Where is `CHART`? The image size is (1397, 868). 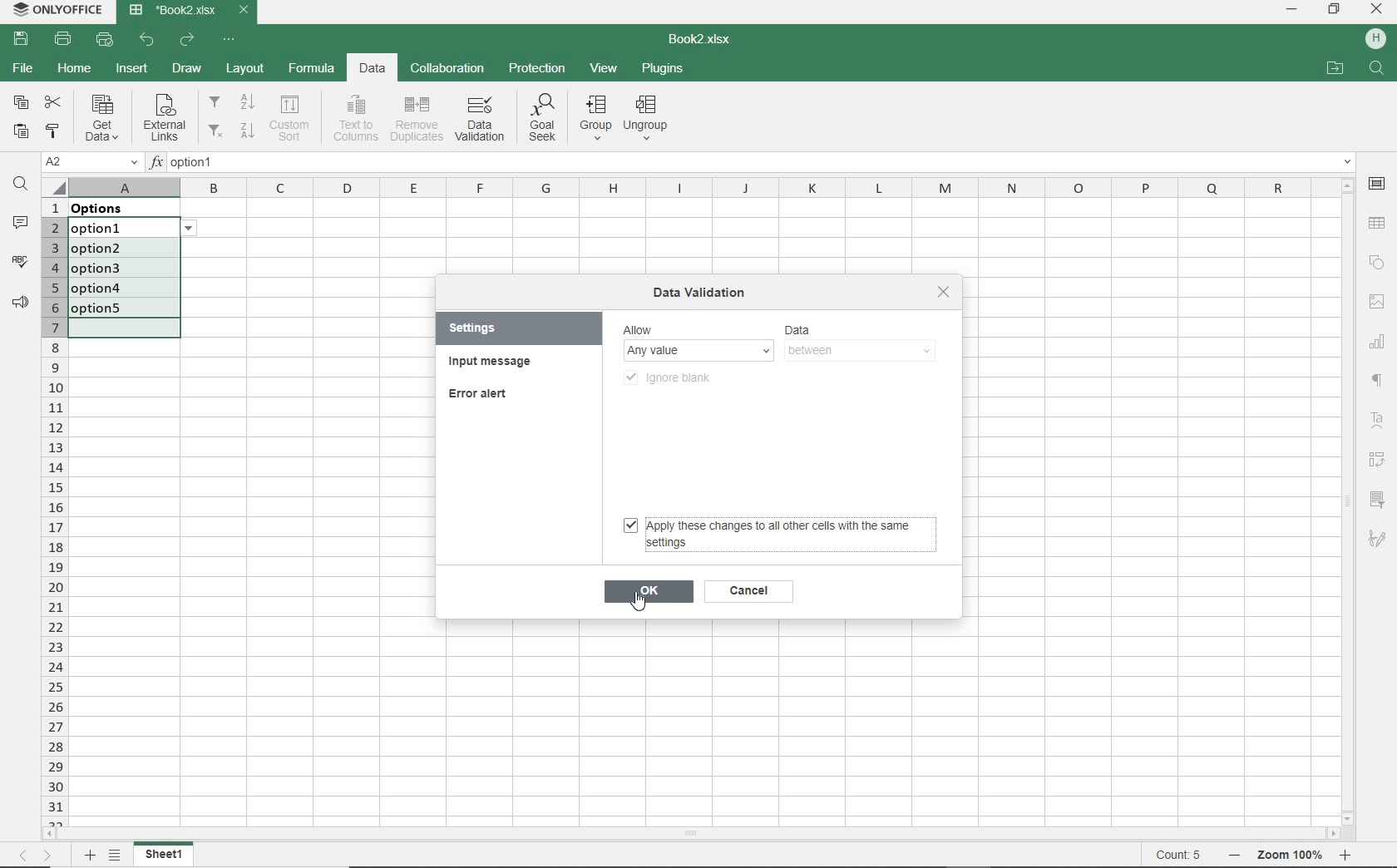 CHART is located at coordinates (1379, 344).